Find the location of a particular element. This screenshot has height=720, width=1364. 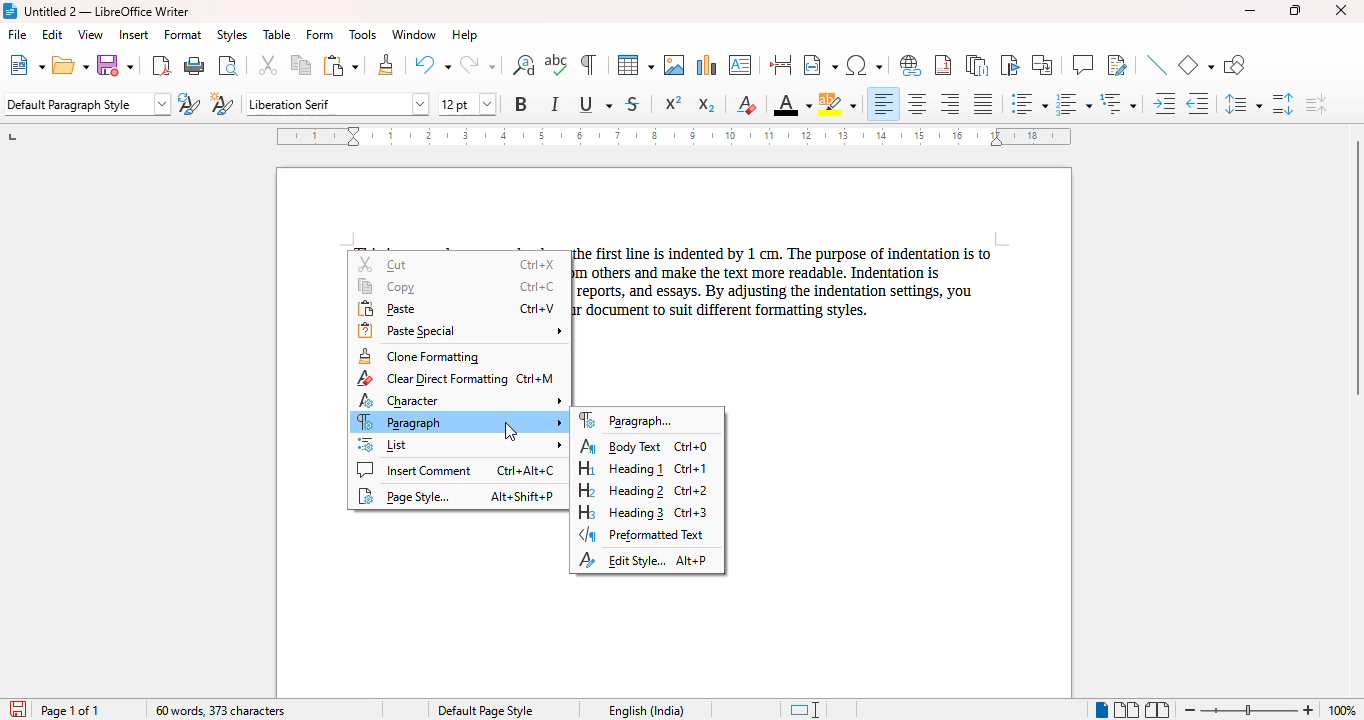

toggle formatting marks is located at coordinates (588, 65).